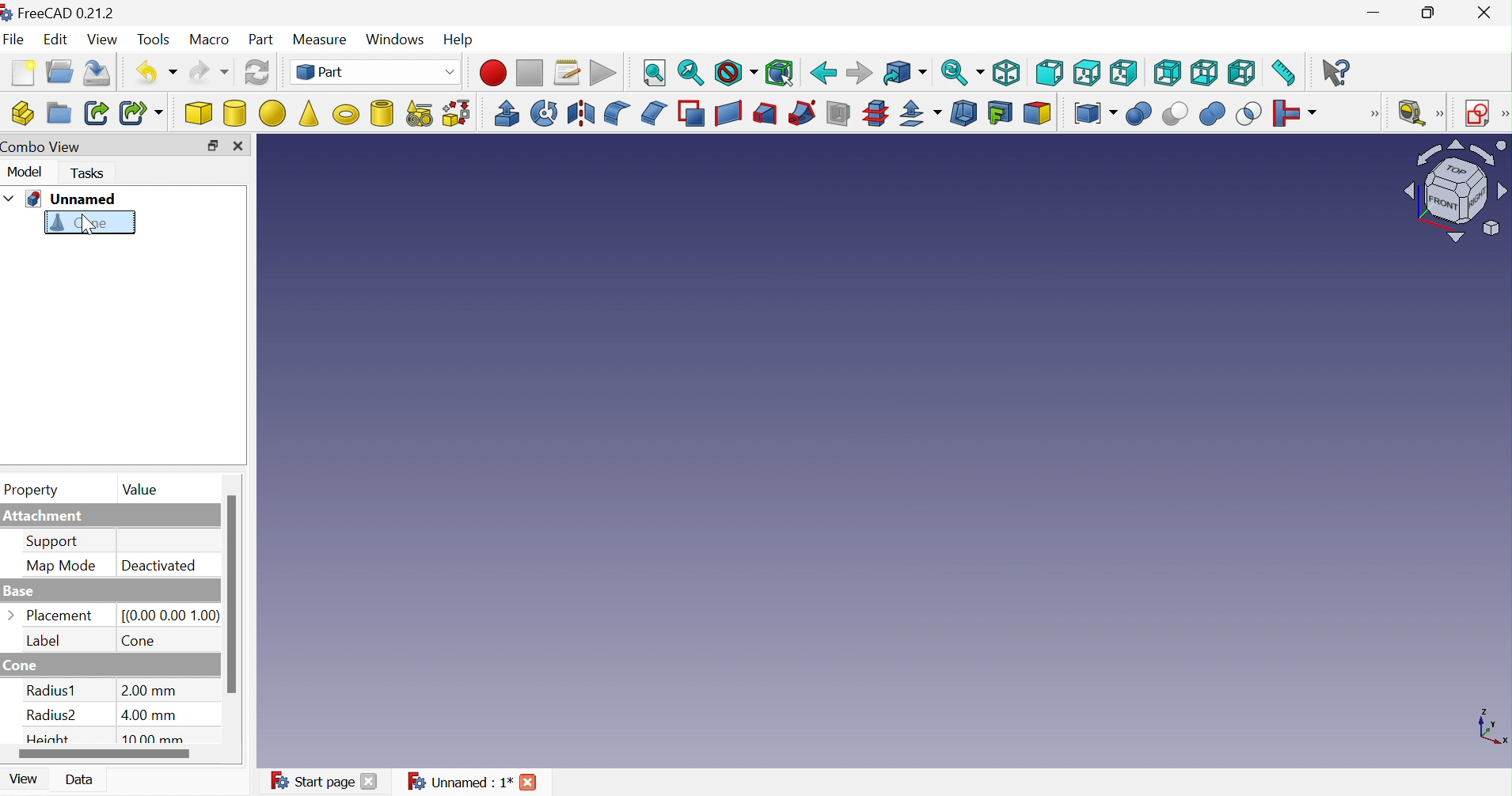  I want to click on Offset:, so click(917, 115).